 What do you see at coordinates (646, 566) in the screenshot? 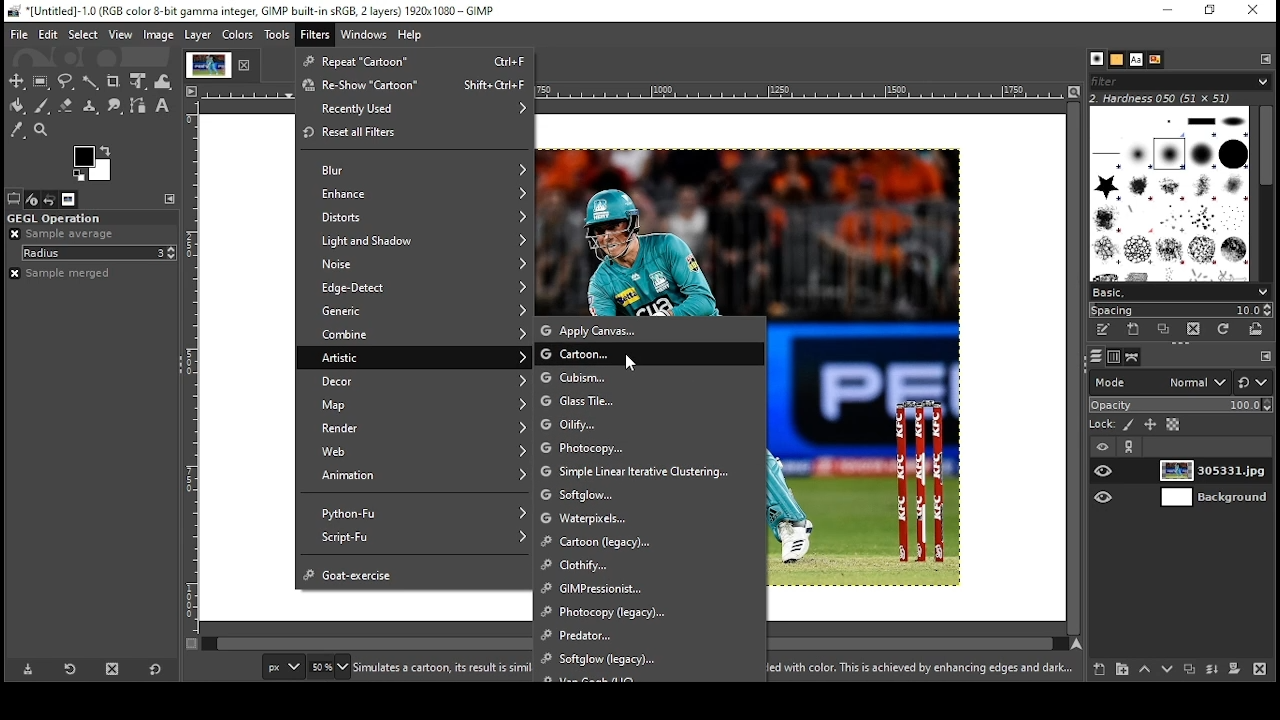
I see `clothify` at bounding box center [646, 566].